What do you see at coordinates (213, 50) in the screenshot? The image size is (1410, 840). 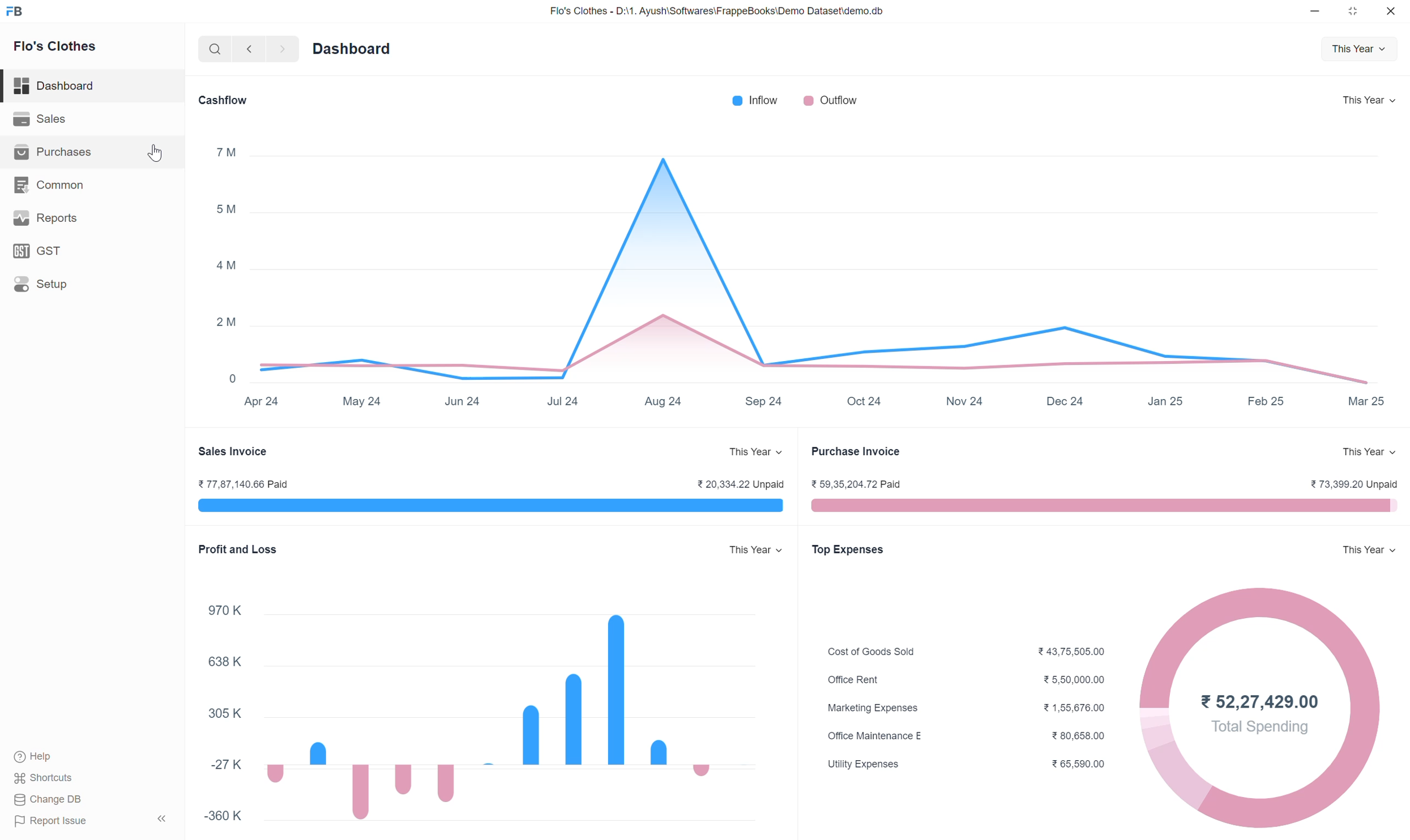 I see `search` at bounding box center [213, 50].